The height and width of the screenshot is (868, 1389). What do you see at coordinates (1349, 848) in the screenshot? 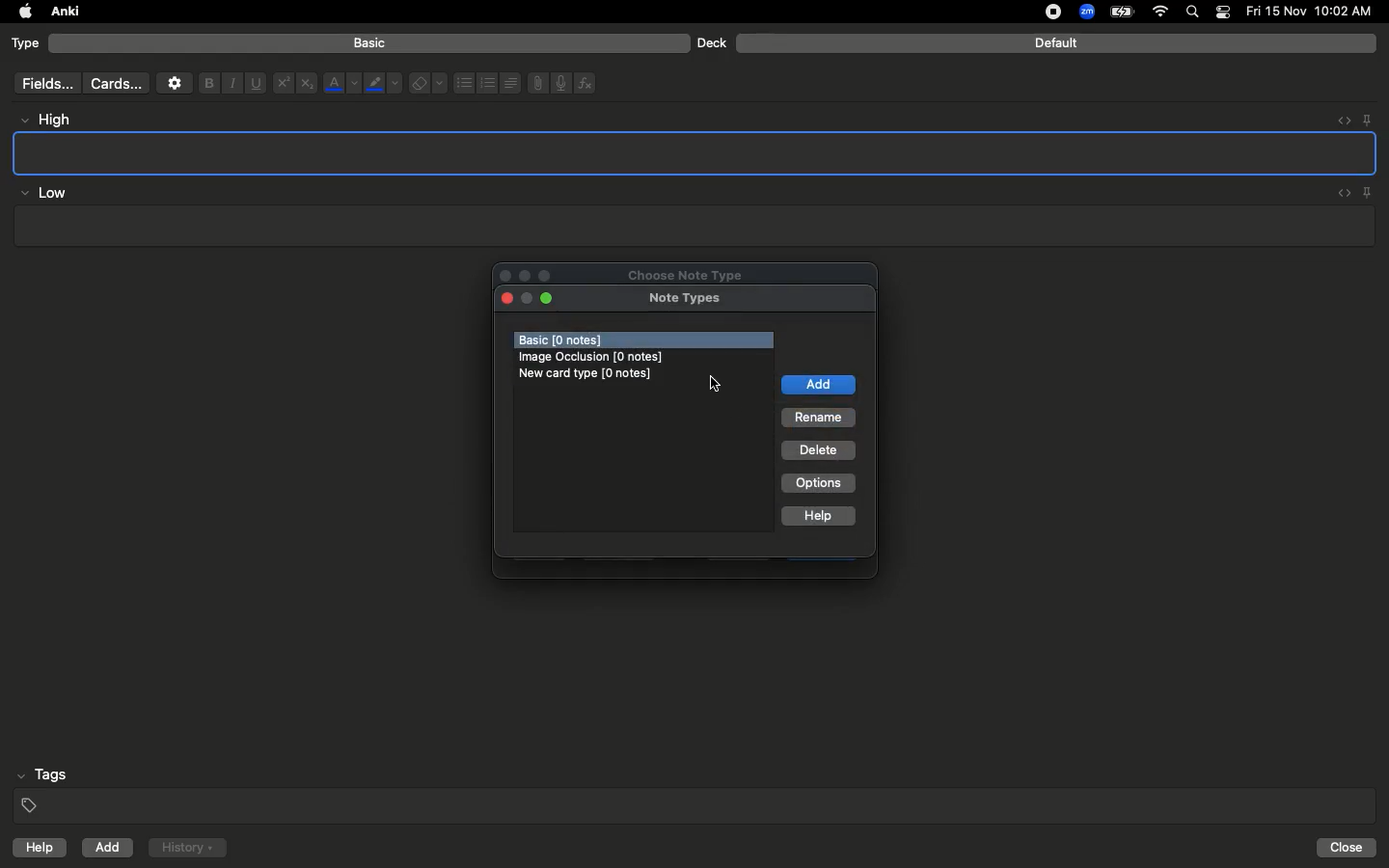
I see `Close` at bounding box center [1349, 848].